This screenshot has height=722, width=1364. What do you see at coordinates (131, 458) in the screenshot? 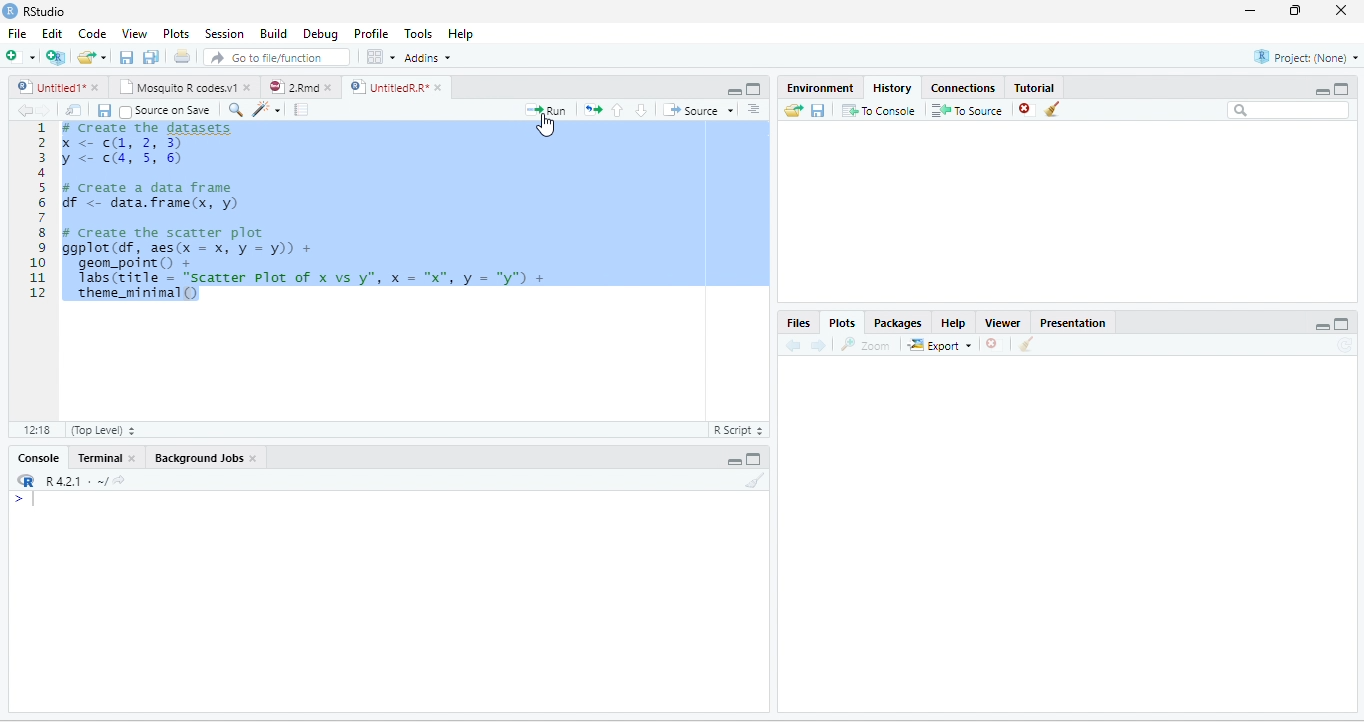
I see `close` at bounding box center [131, 458].